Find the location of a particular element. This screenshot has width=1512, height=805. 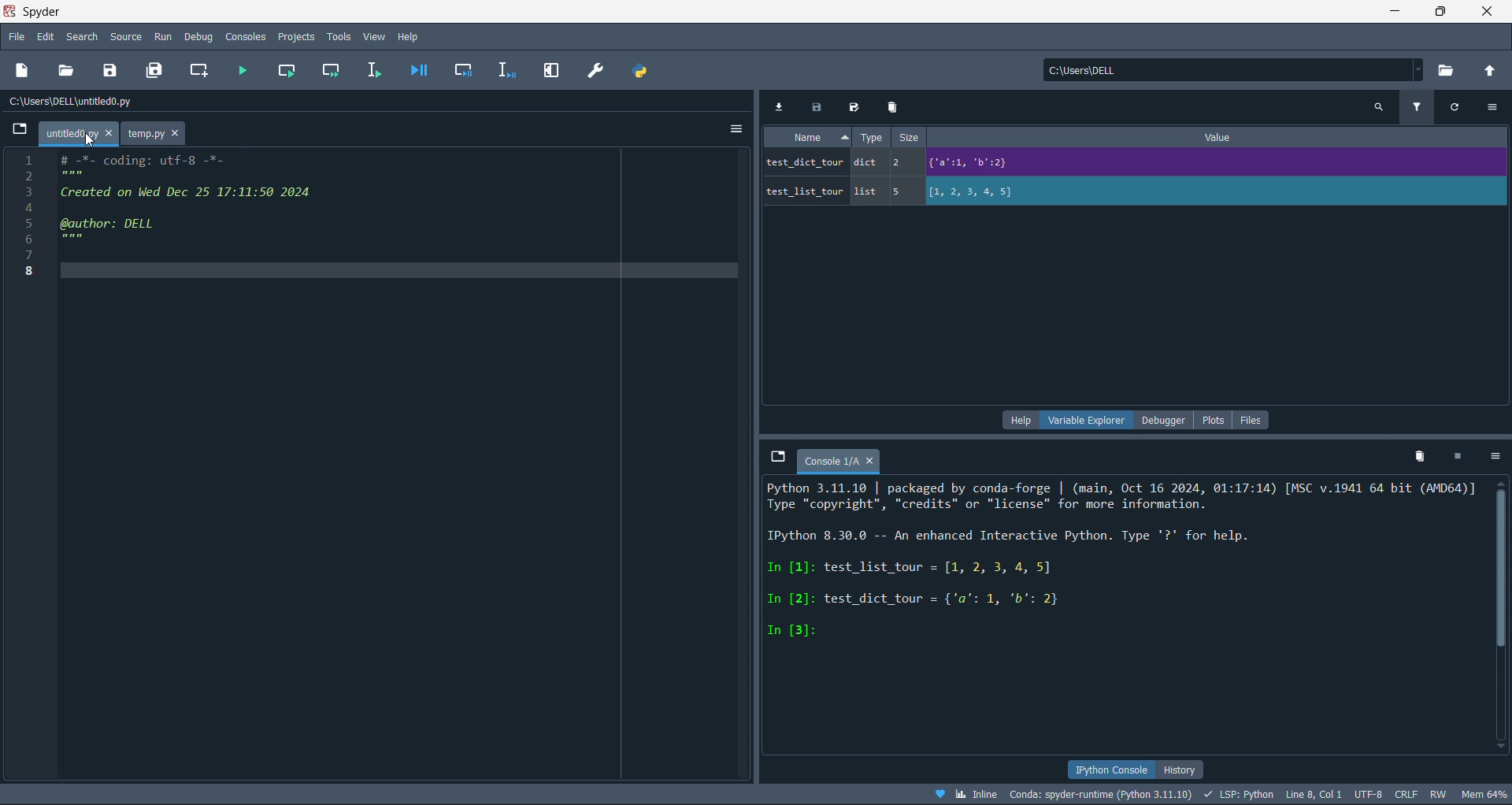

save is located at coordinates (113, 69).